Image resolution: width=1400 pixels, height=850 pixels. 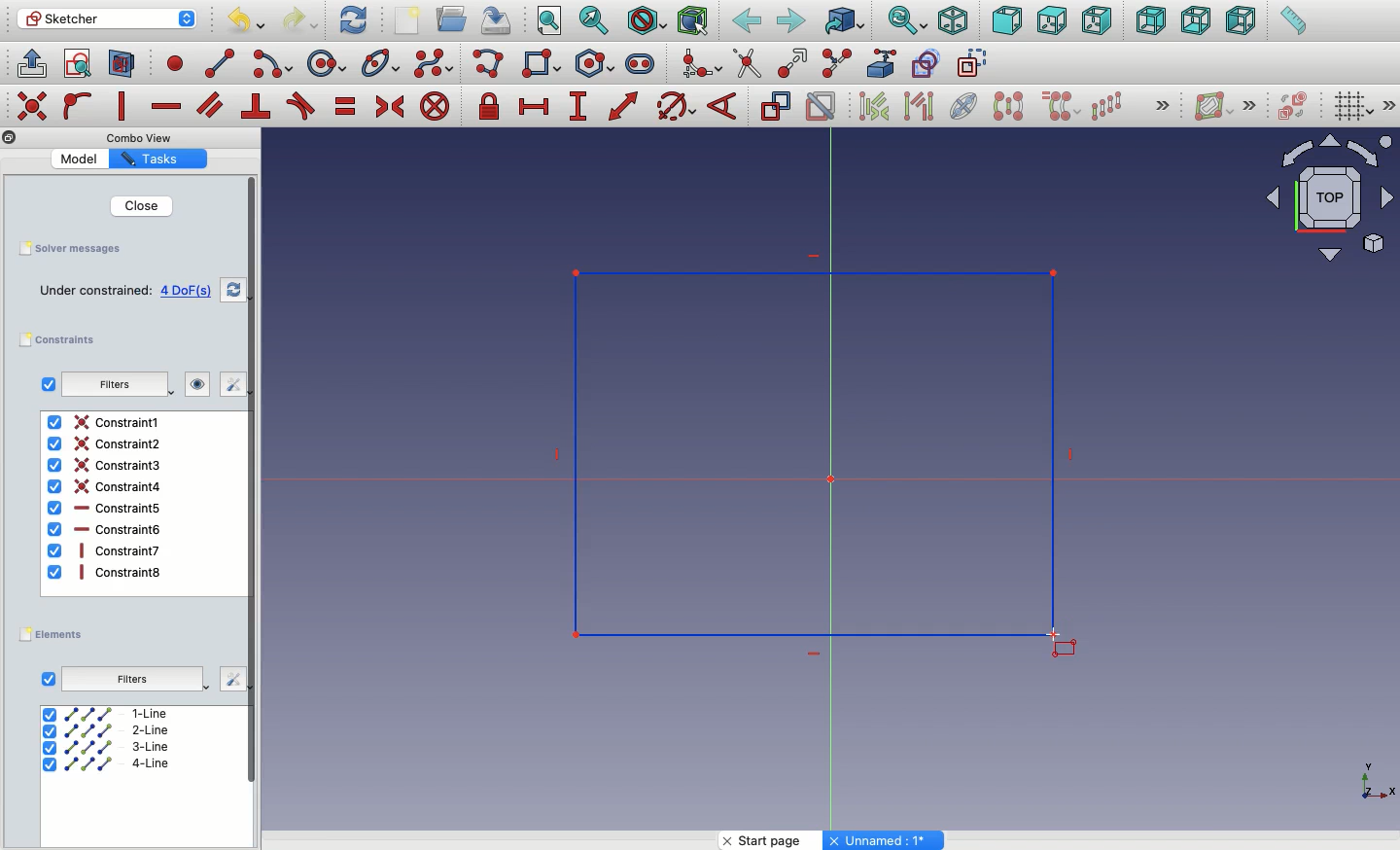 What do you see at coordinates (211, 105) in the screenshot?
I see `constrain parallel` at bounding box center [211, 105].